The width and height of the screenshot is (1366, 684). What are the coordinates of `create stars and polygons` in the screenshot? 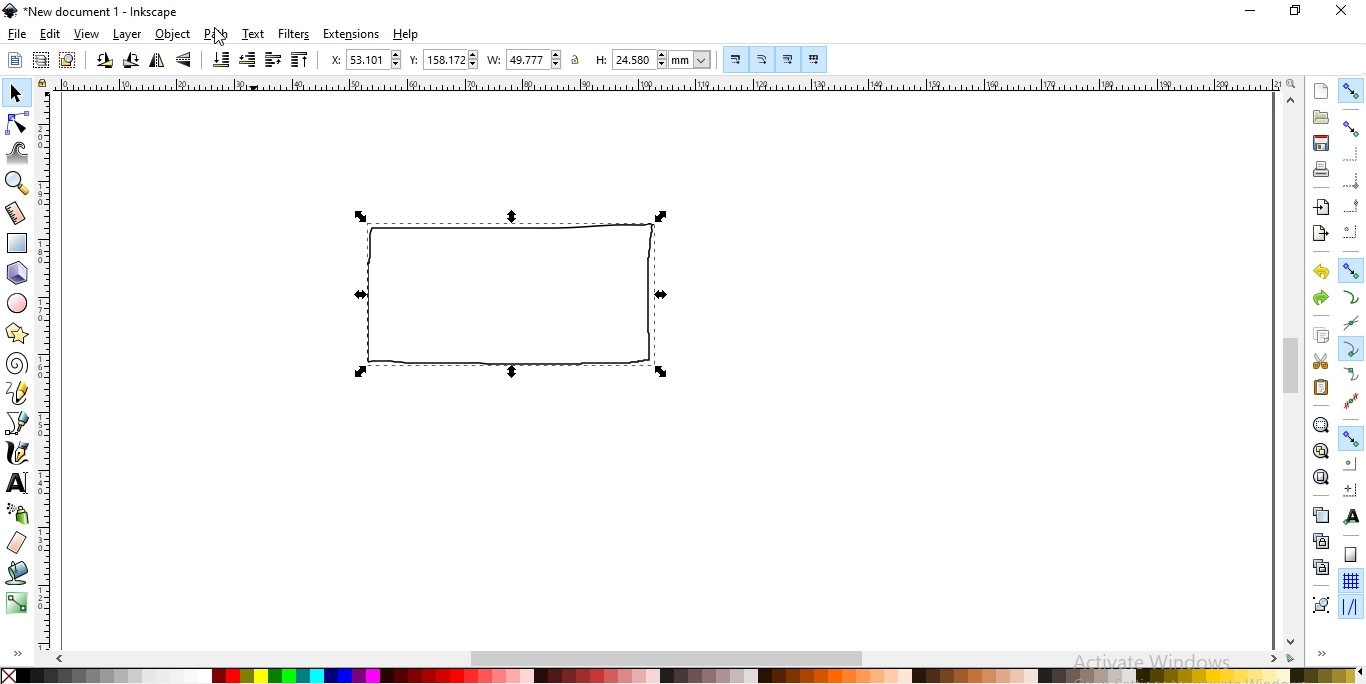 It's located at (19, 331).